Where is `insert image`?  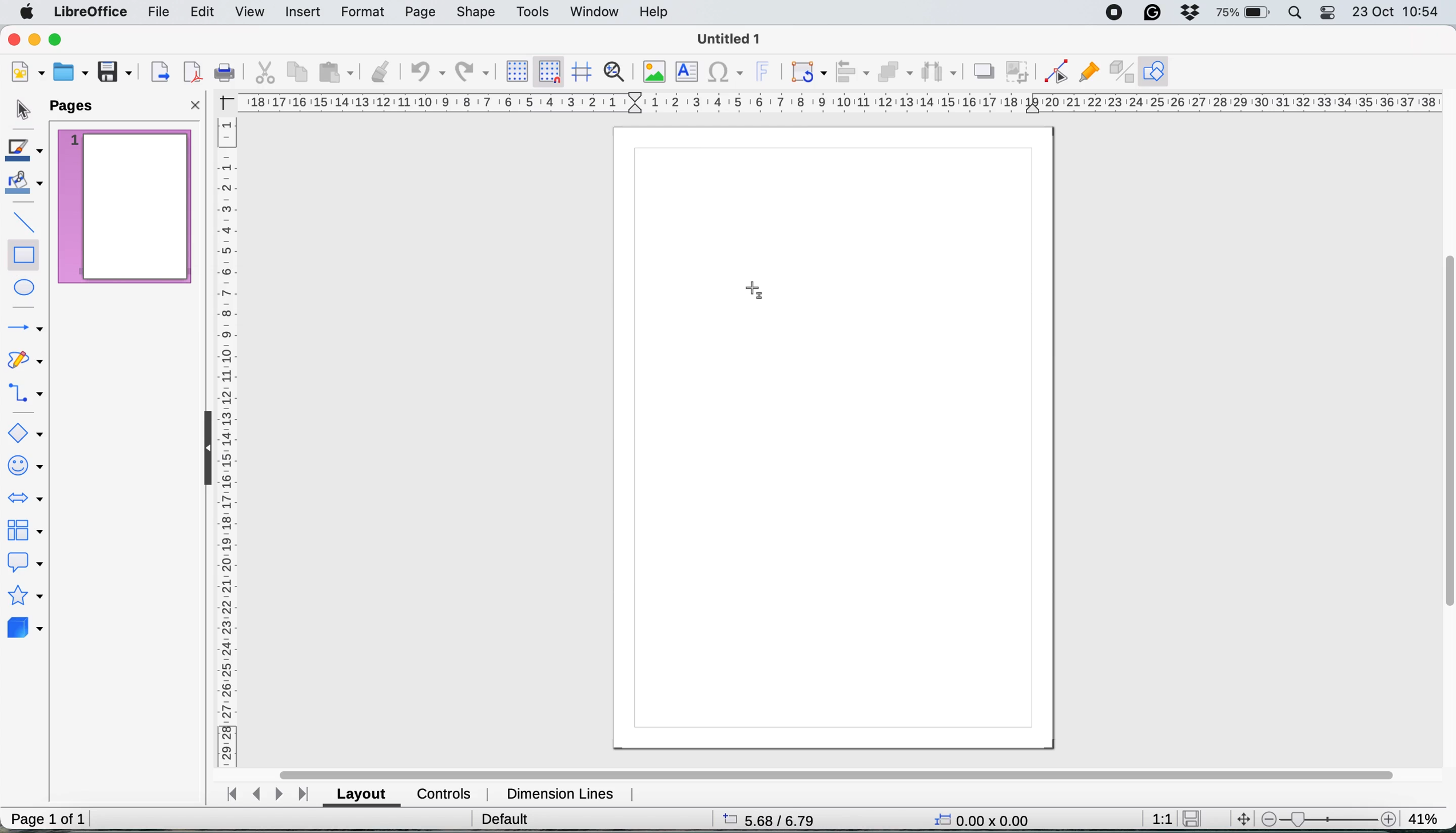
insert image is located at coordinates (658, 70).